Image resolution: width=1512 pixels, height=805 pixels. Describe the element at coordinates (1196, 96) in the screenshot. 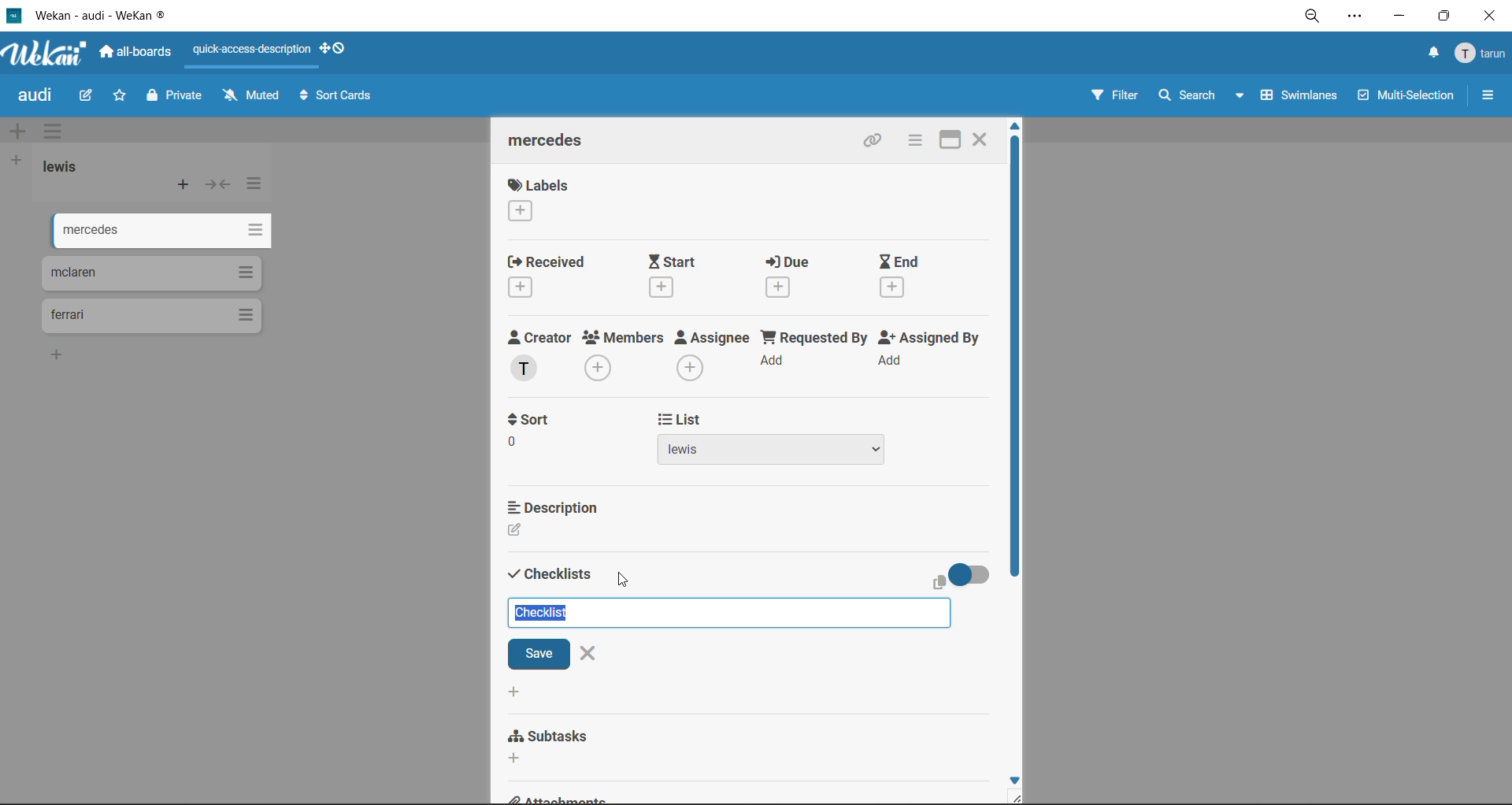

I see `search` at that location.